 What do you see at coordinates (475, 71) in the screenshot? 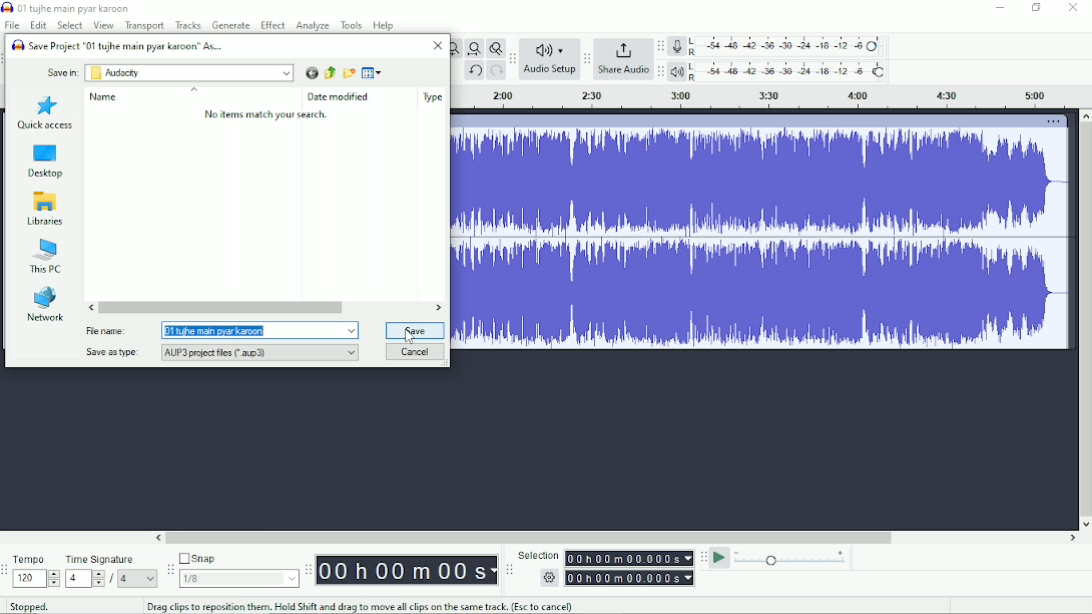
I see `Undo` at bounding box center [475, 71].